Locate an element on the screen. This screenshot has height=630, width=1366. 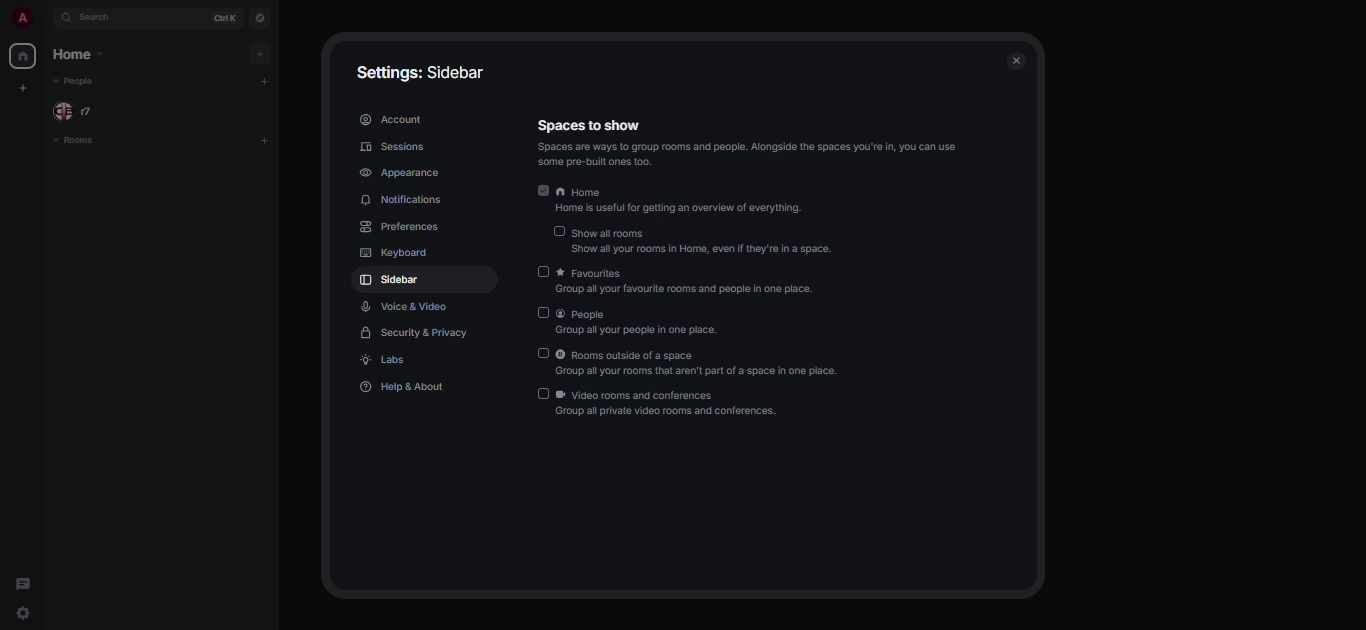
sessions is located at coordinates (392, 146).